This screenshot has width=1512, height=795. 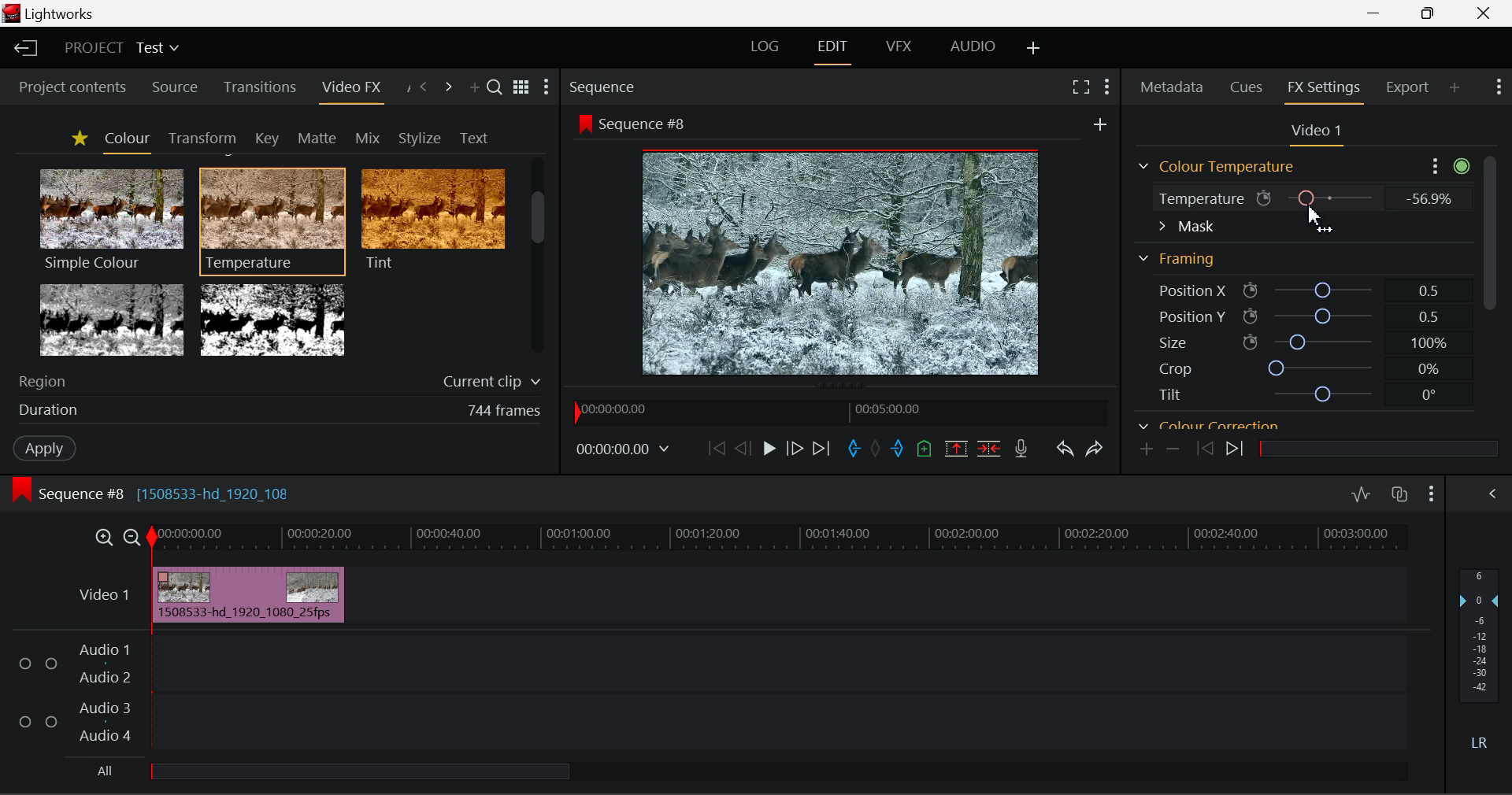 I want to click on To start, so click(x=714, y=452).